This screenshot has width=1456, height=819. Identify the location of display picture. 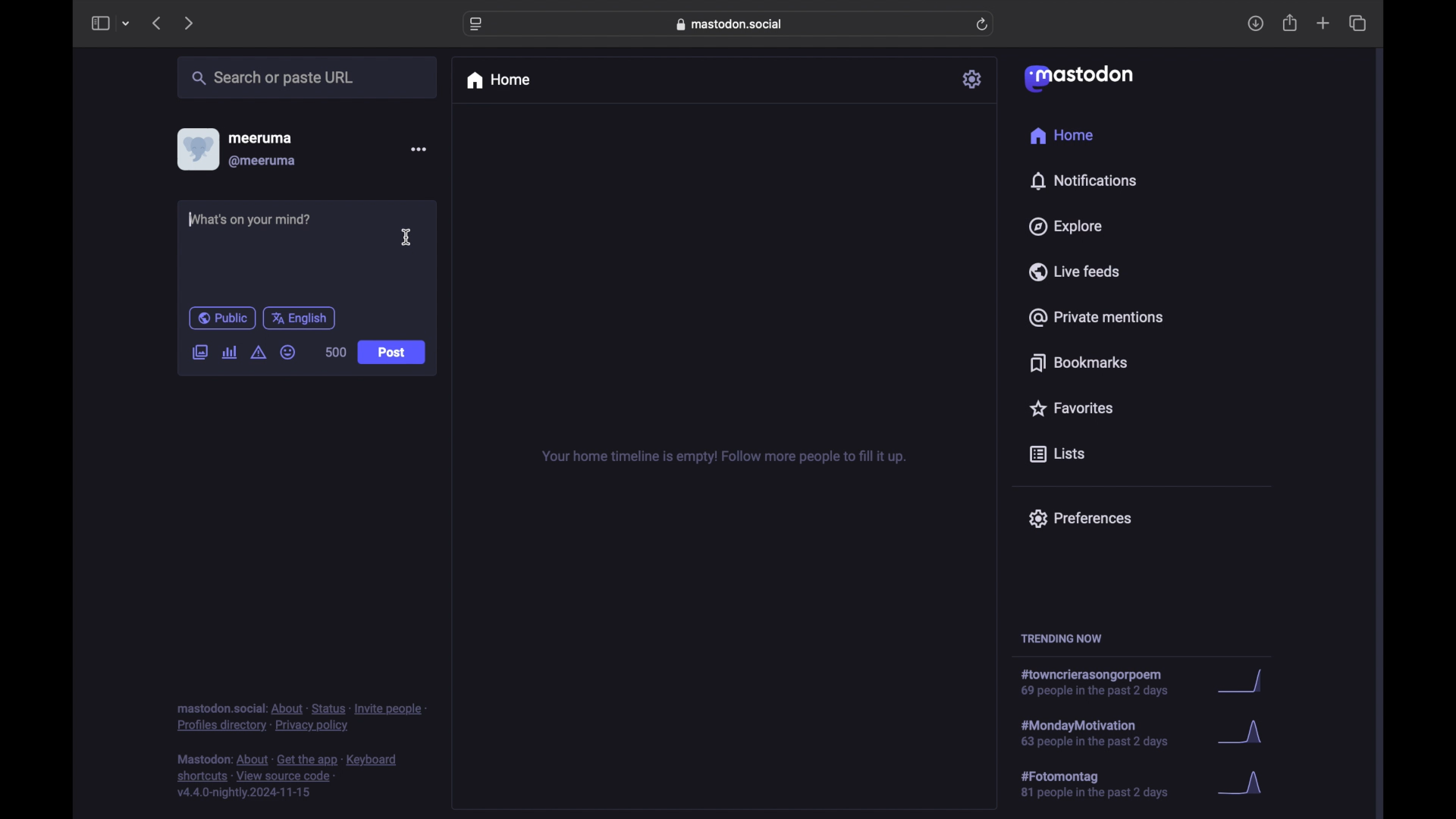
(196, 149).